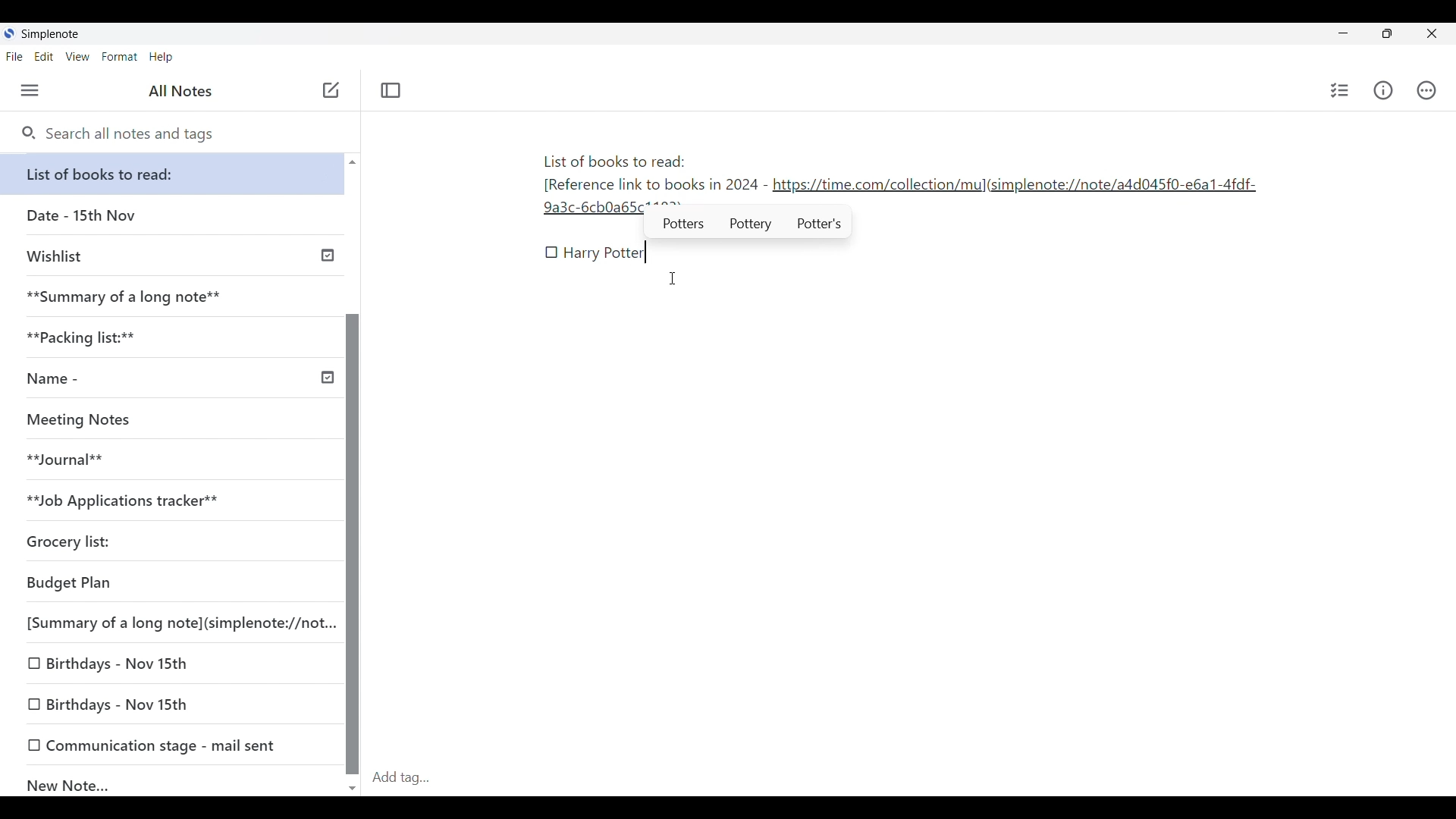  What do you see at coordinates (1383, 90) in the screenshot?
I see `Info` at bounding box center [1383, 90].